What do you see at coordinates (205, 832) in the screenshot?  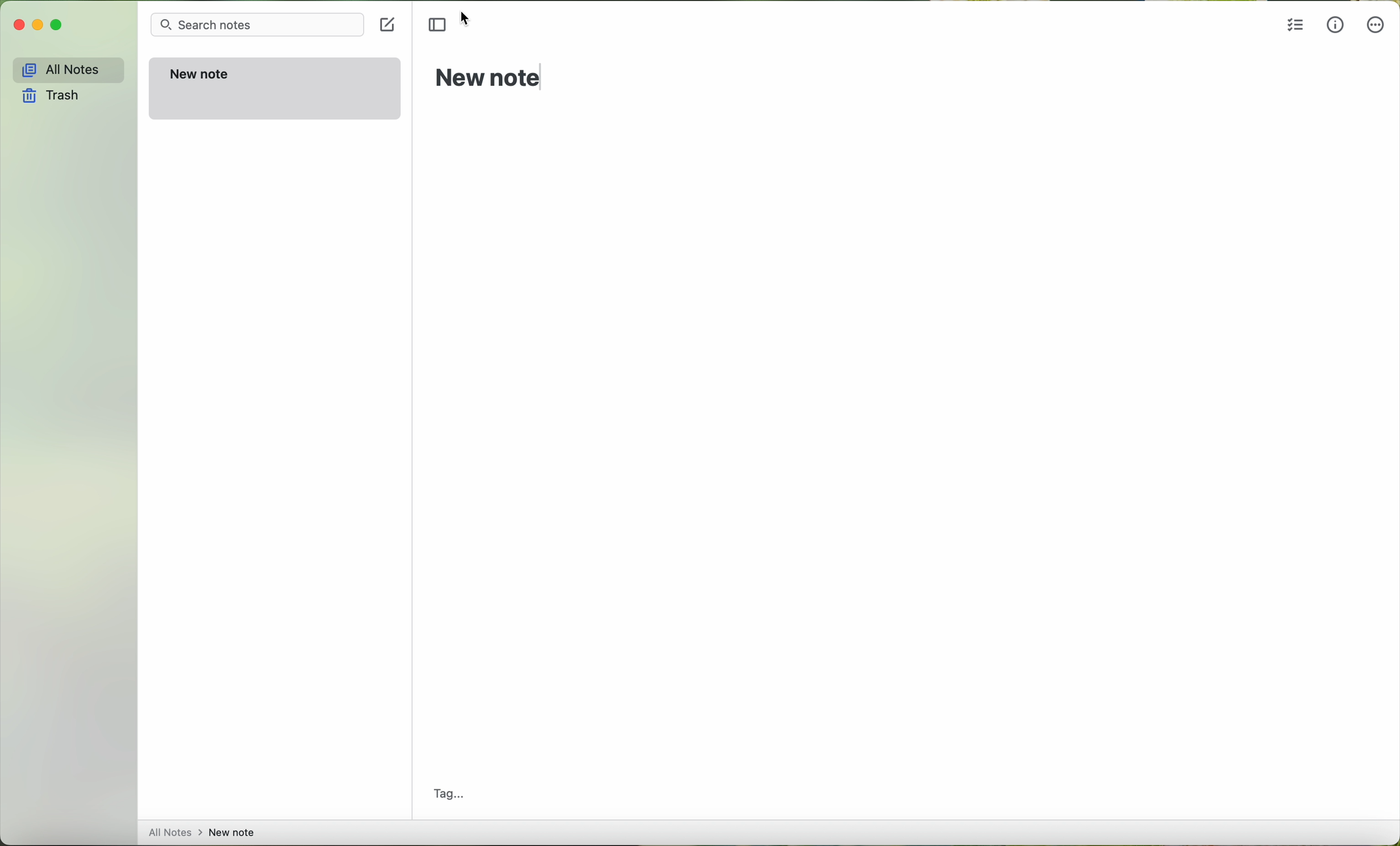 I see `all notes > new note...` at bounding box center [205, 832].